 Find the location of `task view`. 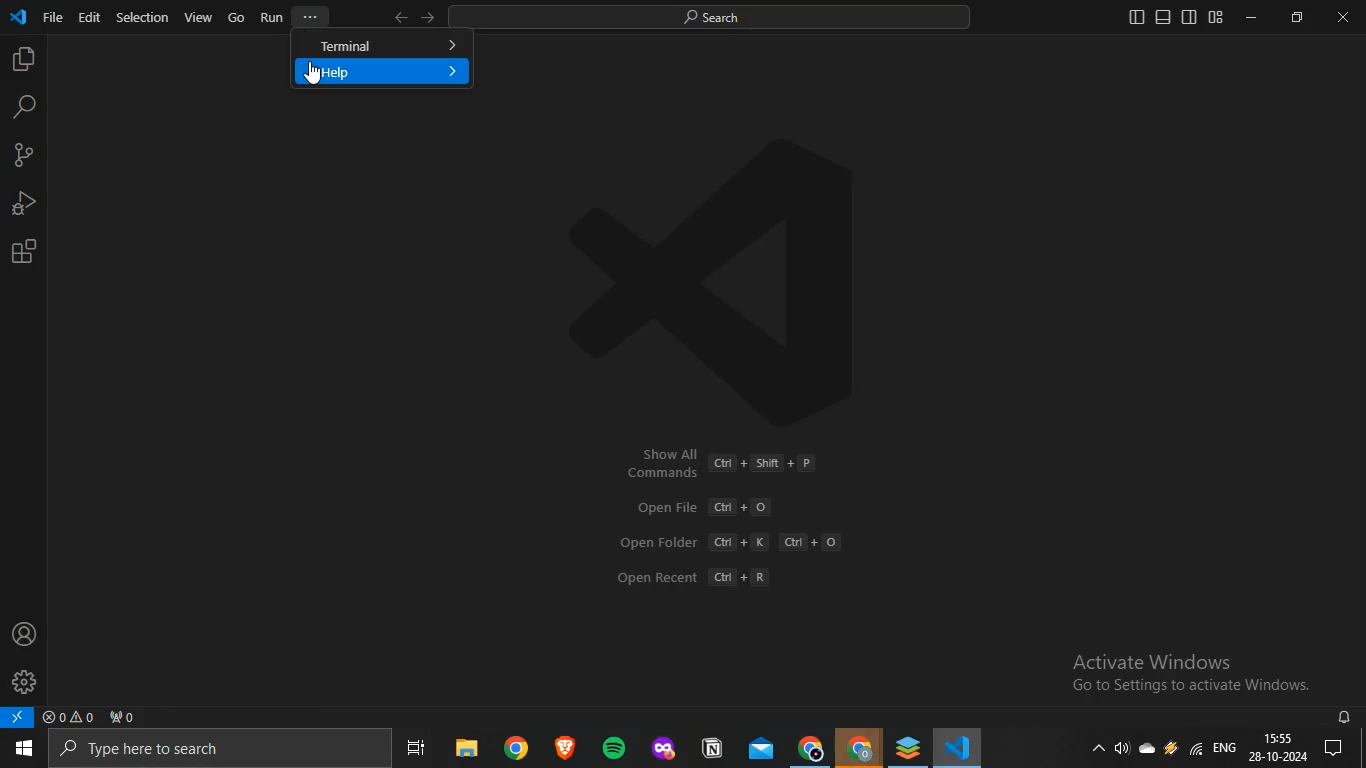

task view is located at coordinates (421, 750).